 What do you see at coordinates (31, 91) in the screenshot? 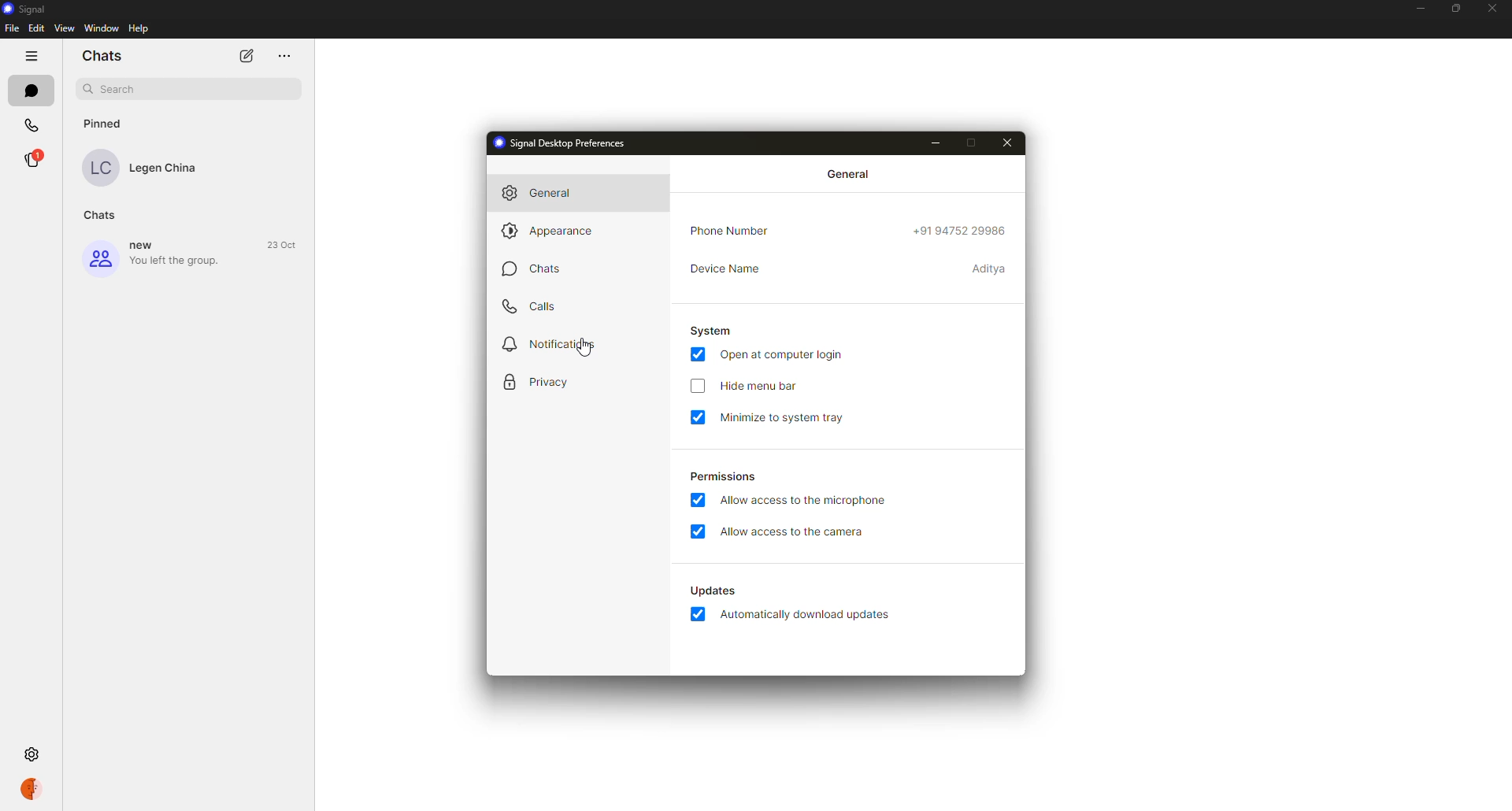
I see `chats` at bounding box center [31, 91].